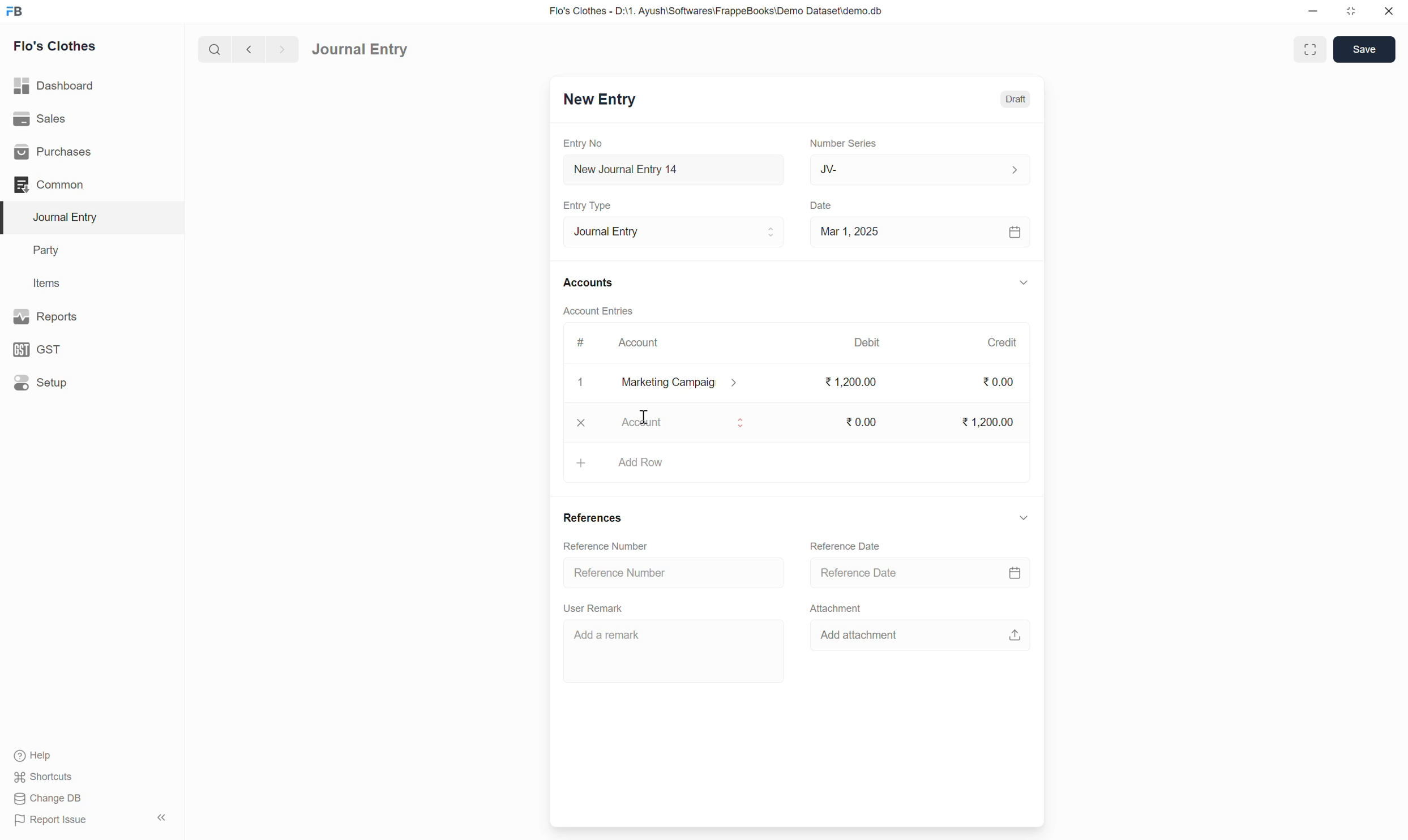 This screenshot has width=1408, height=840. I want to click on add row, so click(643, 464).